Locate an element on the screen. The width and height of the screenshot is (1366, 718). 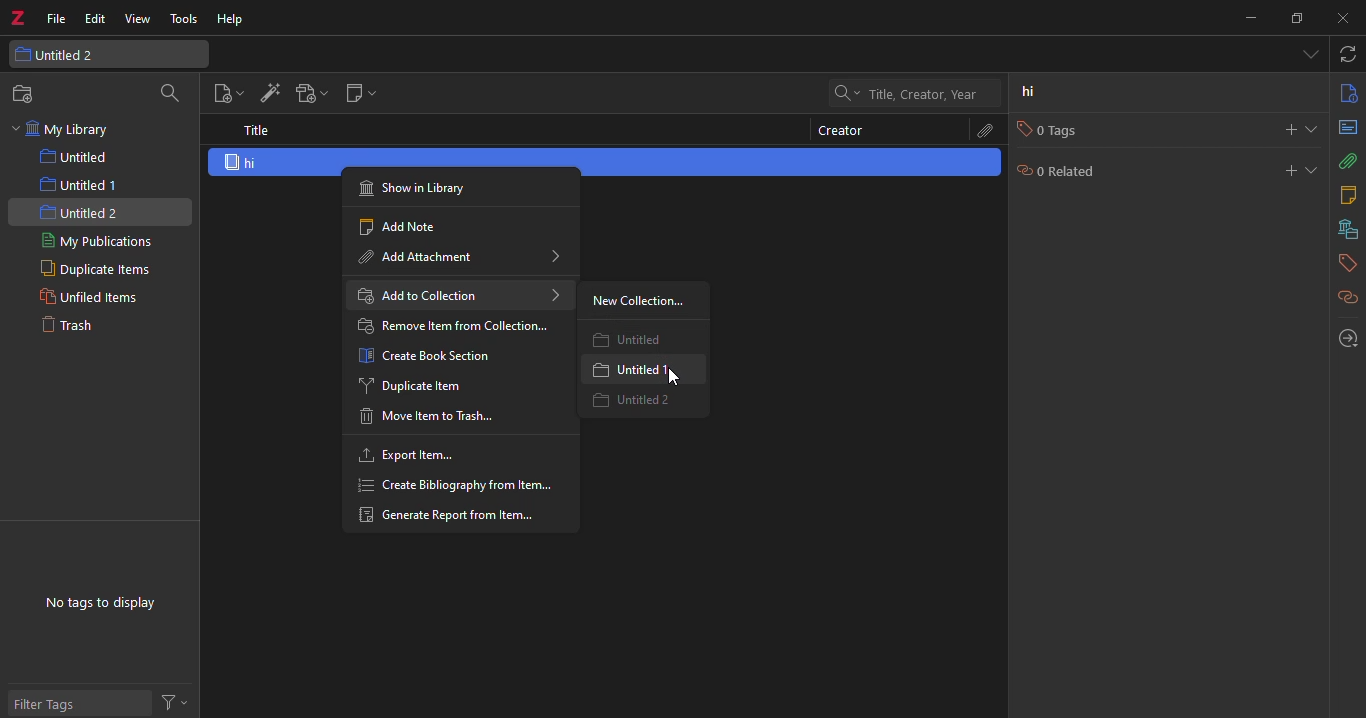
new collection is located at coordinates (25, 94).